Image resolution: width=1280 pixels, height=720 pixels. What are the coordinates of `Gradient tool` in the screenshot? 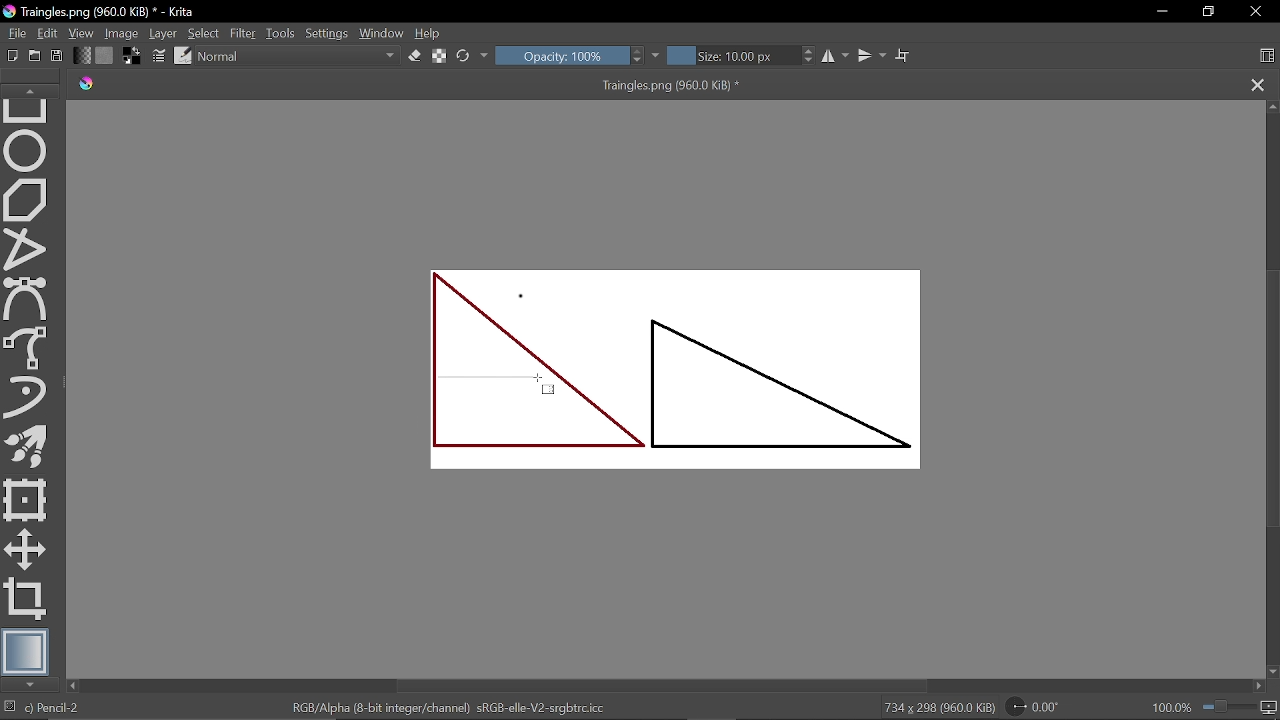 It's located at (26, 651).